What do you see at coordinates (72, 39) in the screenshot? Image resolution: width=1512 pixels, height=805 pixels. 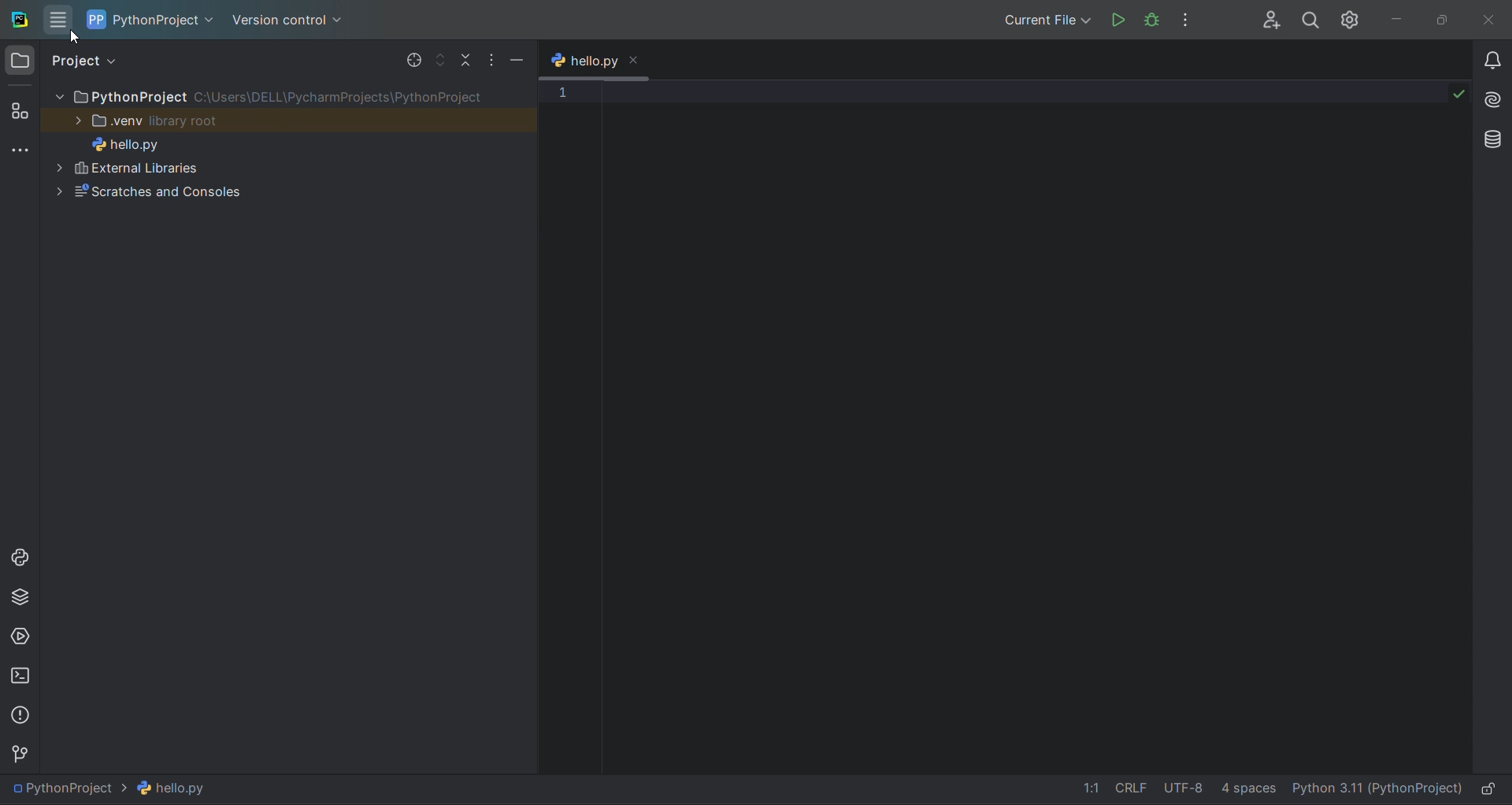 I see `cursor` at bounding box center [72, 39].